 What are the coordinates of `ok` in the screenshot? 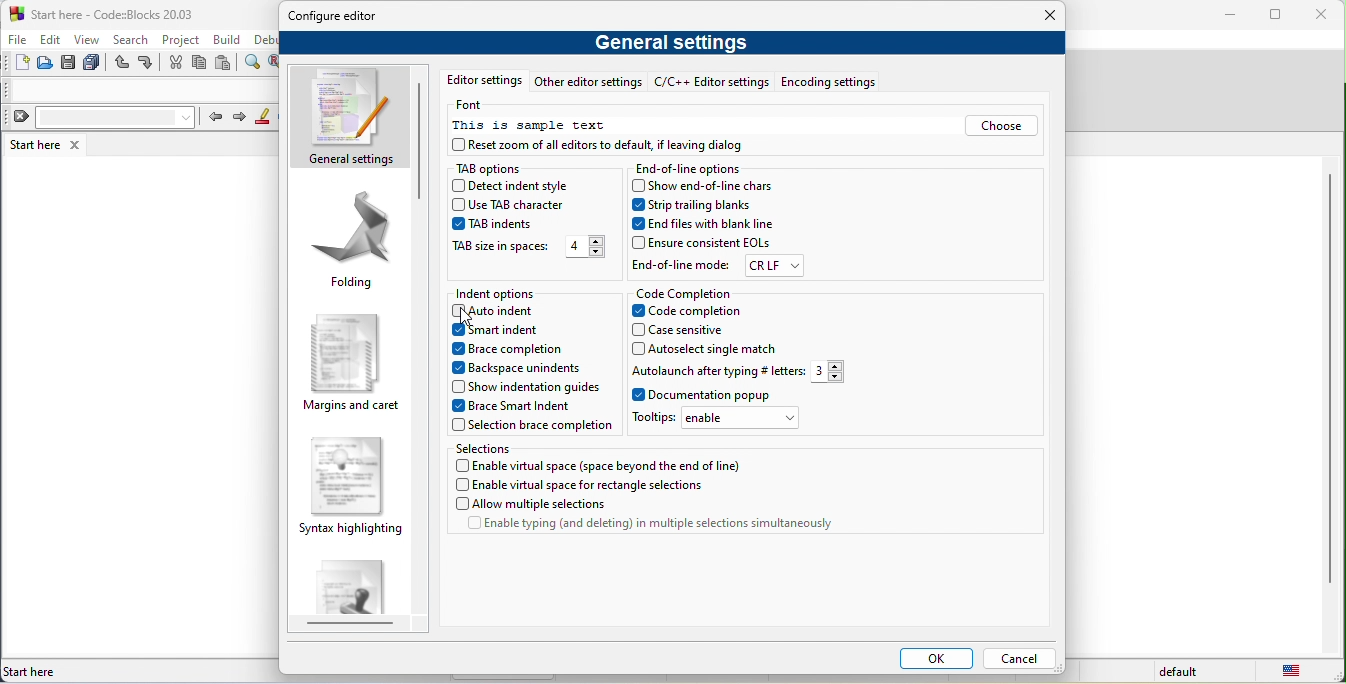 It's located at (928, 658).